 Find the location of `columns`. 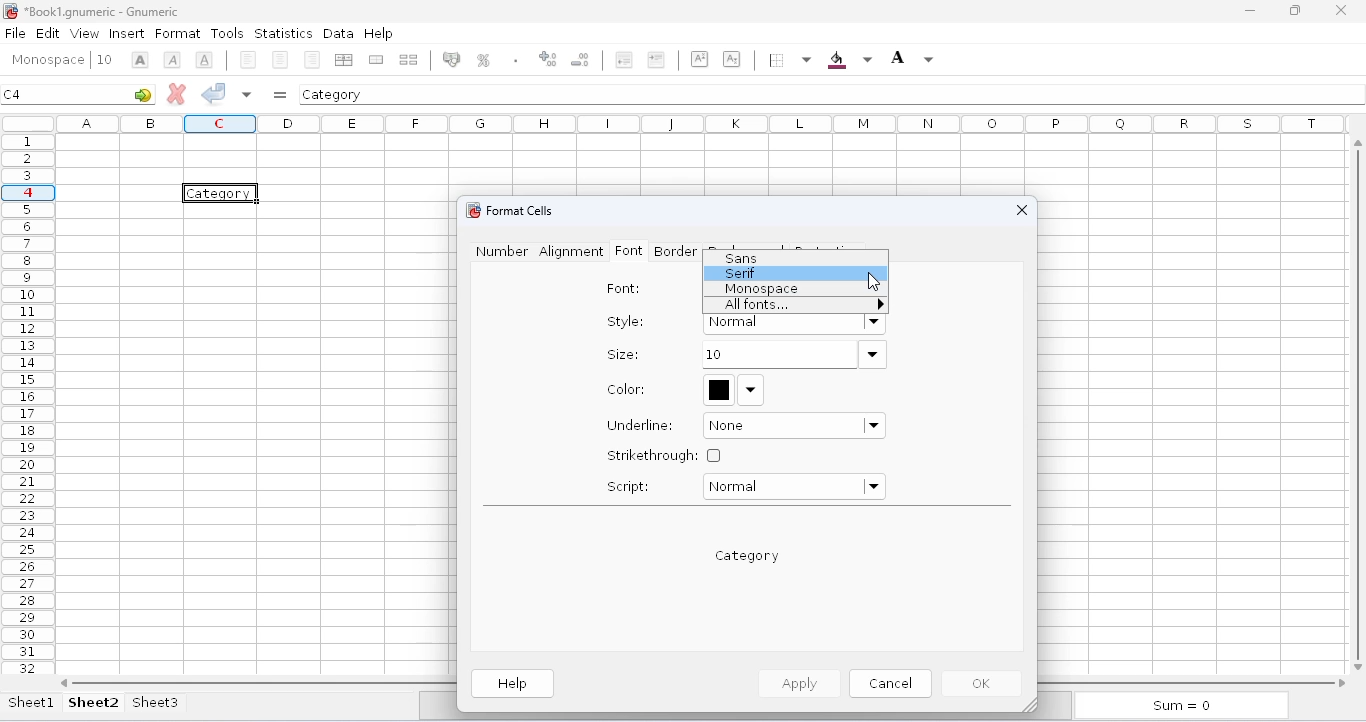

columns is located at coordinates (705, 123).